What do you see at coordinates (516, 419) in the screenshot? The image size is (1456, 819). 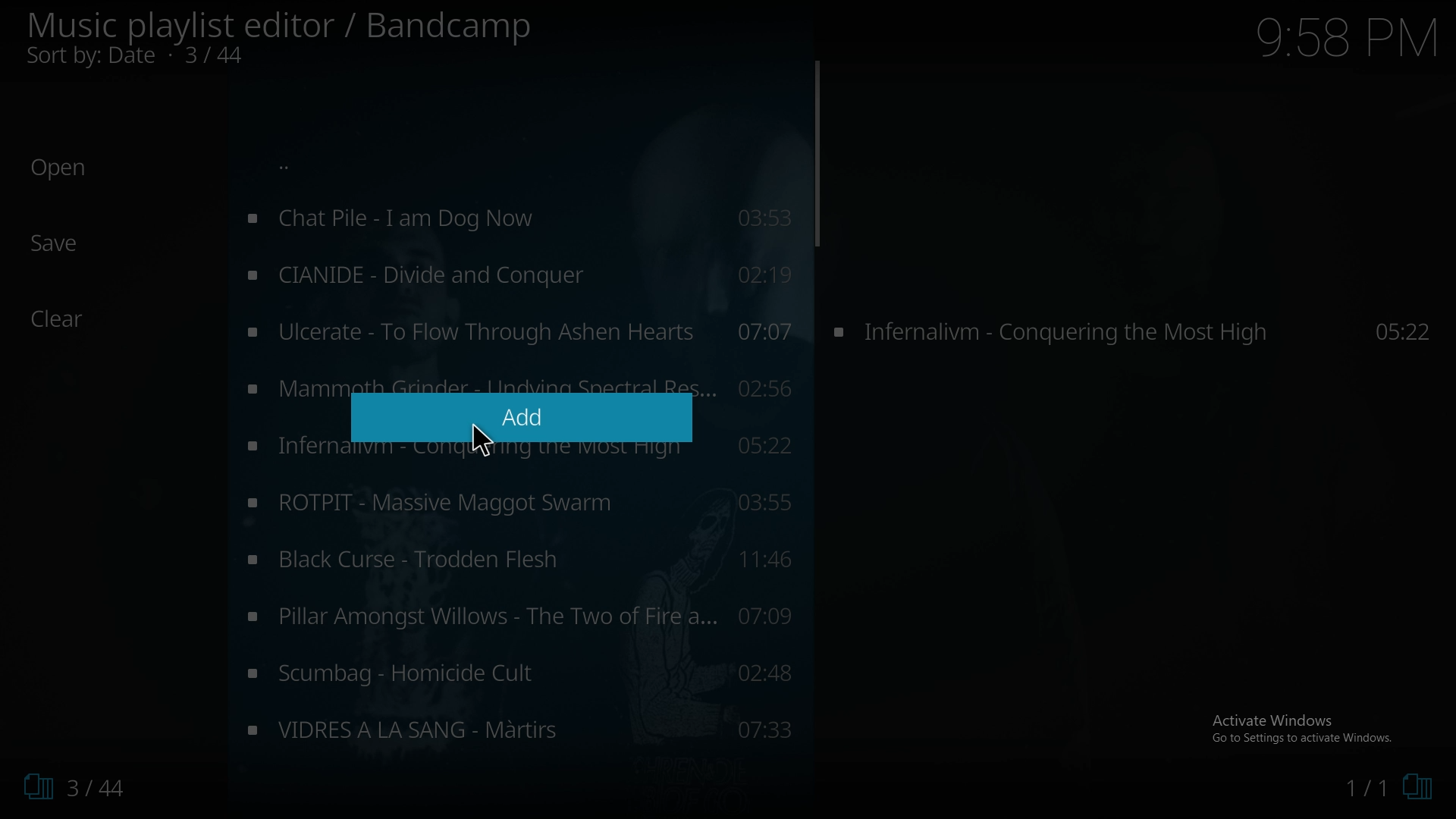 I see `add` at bounding box center [516, 419].